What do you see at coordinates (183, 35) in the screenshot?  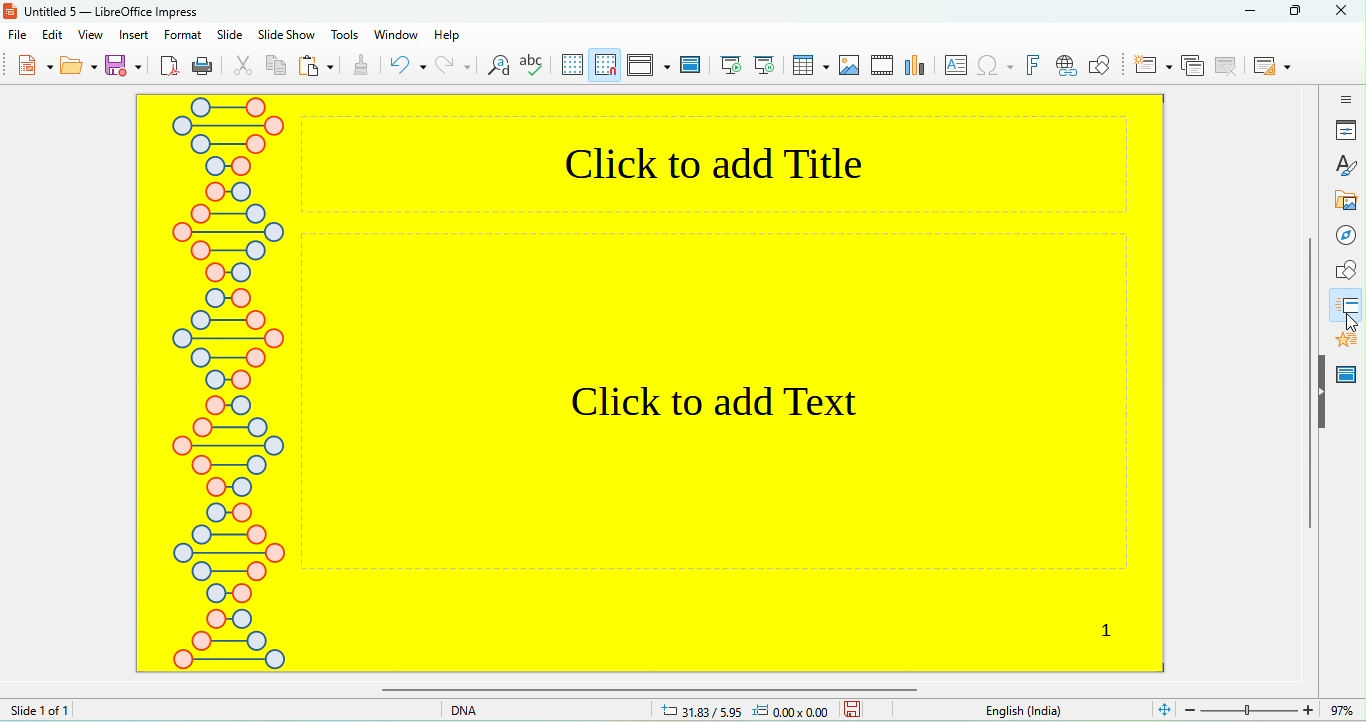 I see `format` at bounding box center [183, 35].